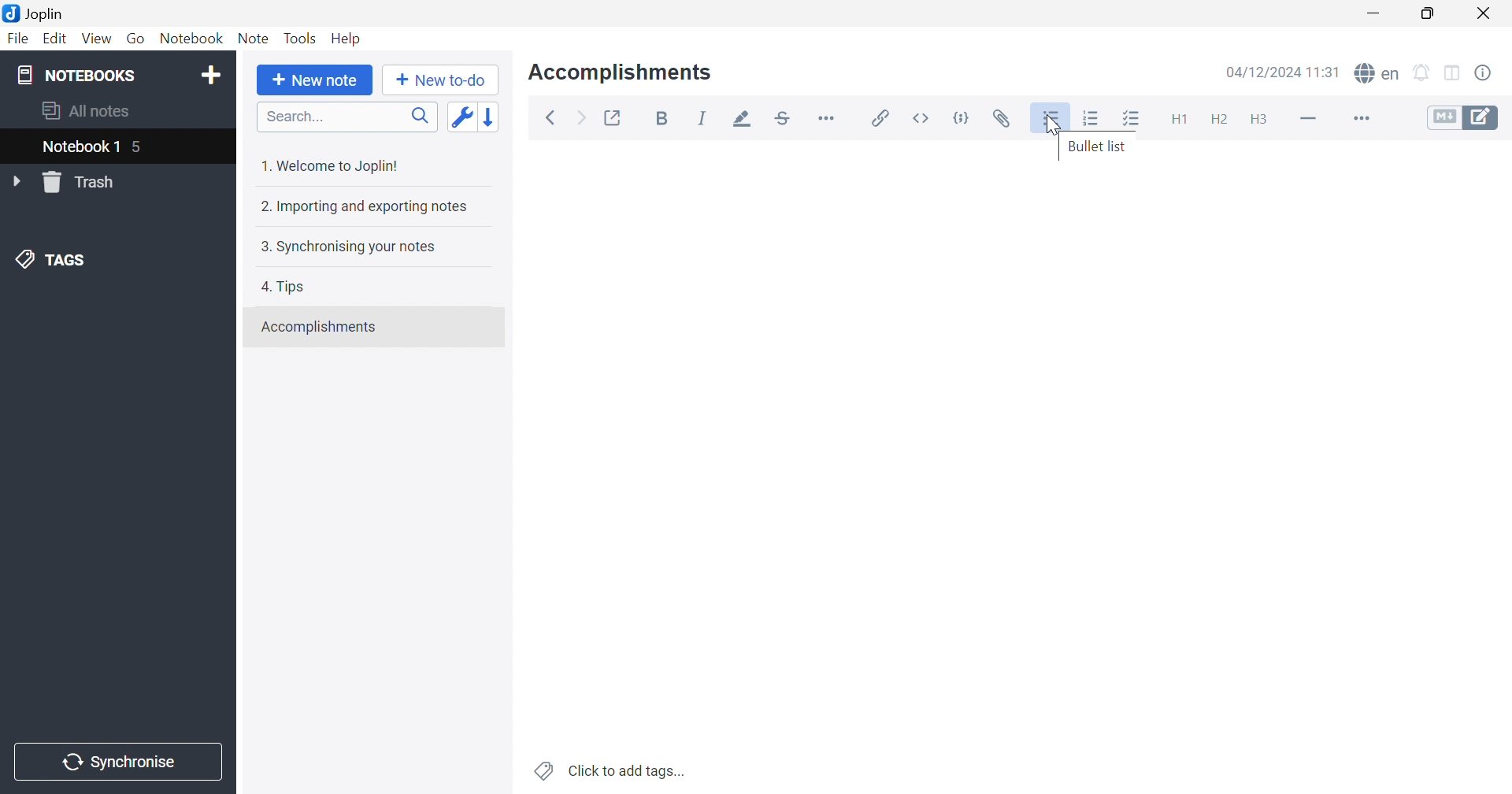 The width and height of the screenshot is (1512, 794). I want to click on Checkbox list, so click(1135, 120).